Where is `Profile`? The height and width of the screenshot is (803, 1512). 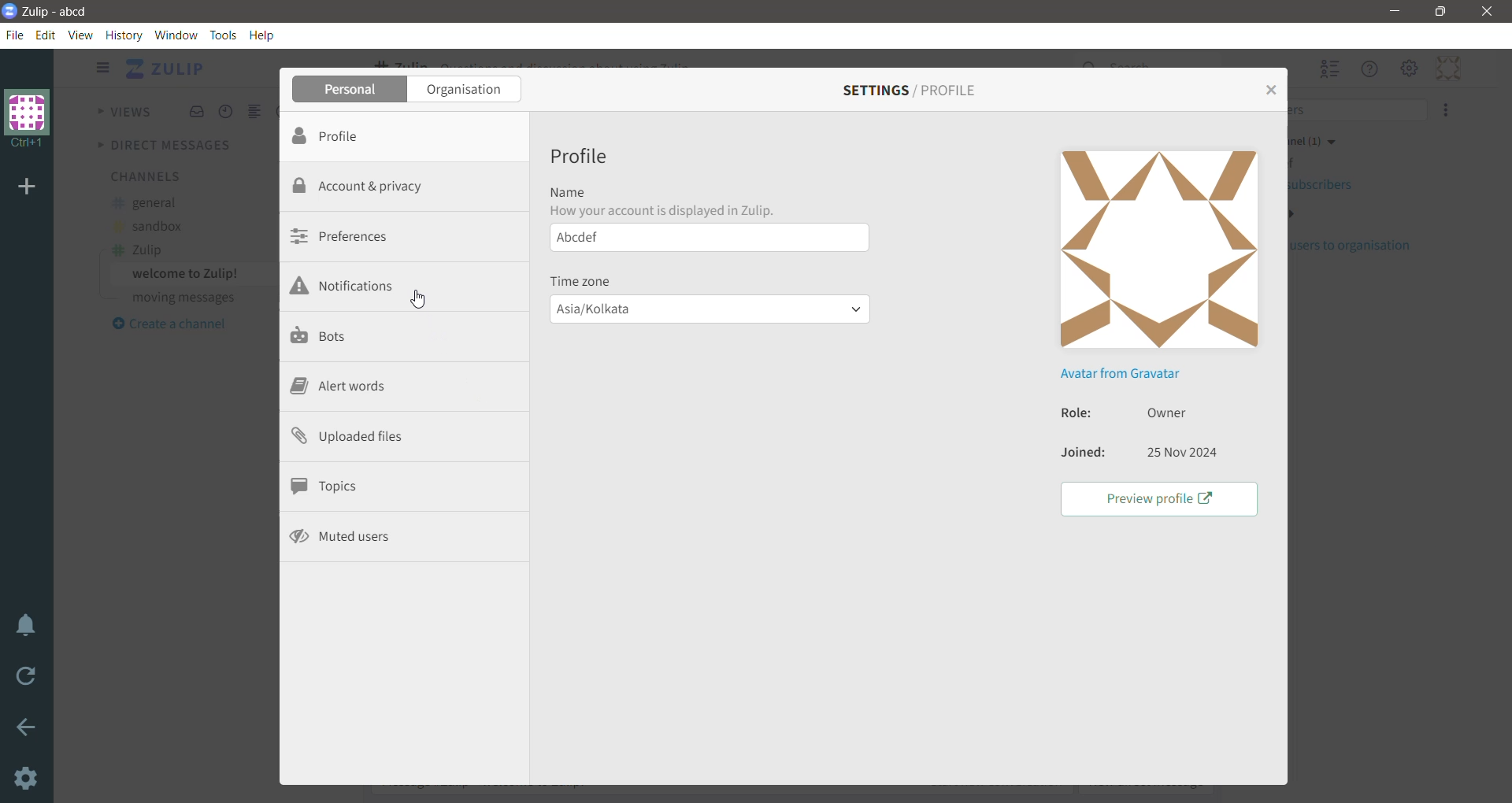
Profile is located at coordinates (580, 158).